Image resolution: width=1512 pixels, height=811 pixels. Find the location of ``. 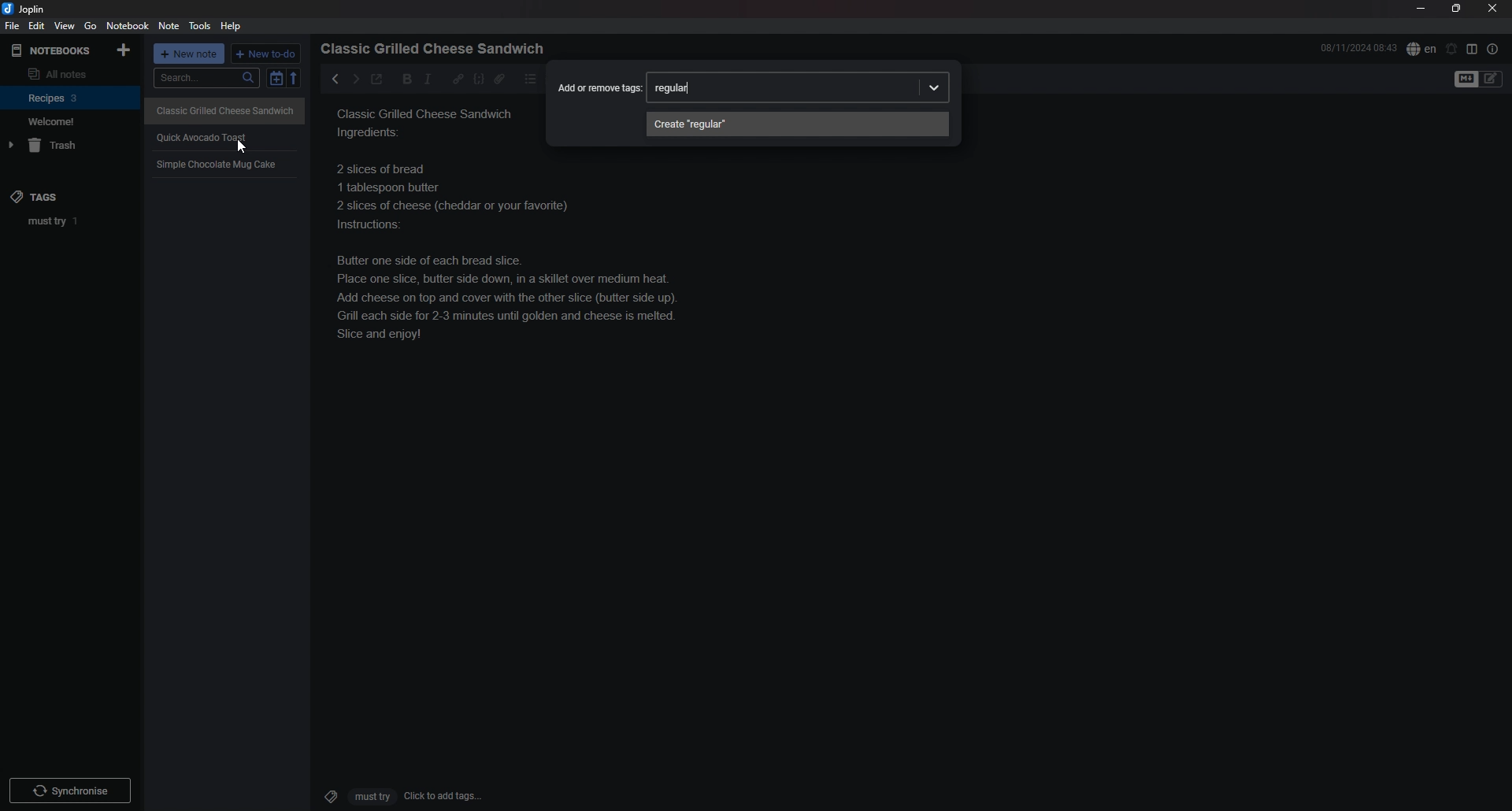

 is located at coordinates (70, 787).